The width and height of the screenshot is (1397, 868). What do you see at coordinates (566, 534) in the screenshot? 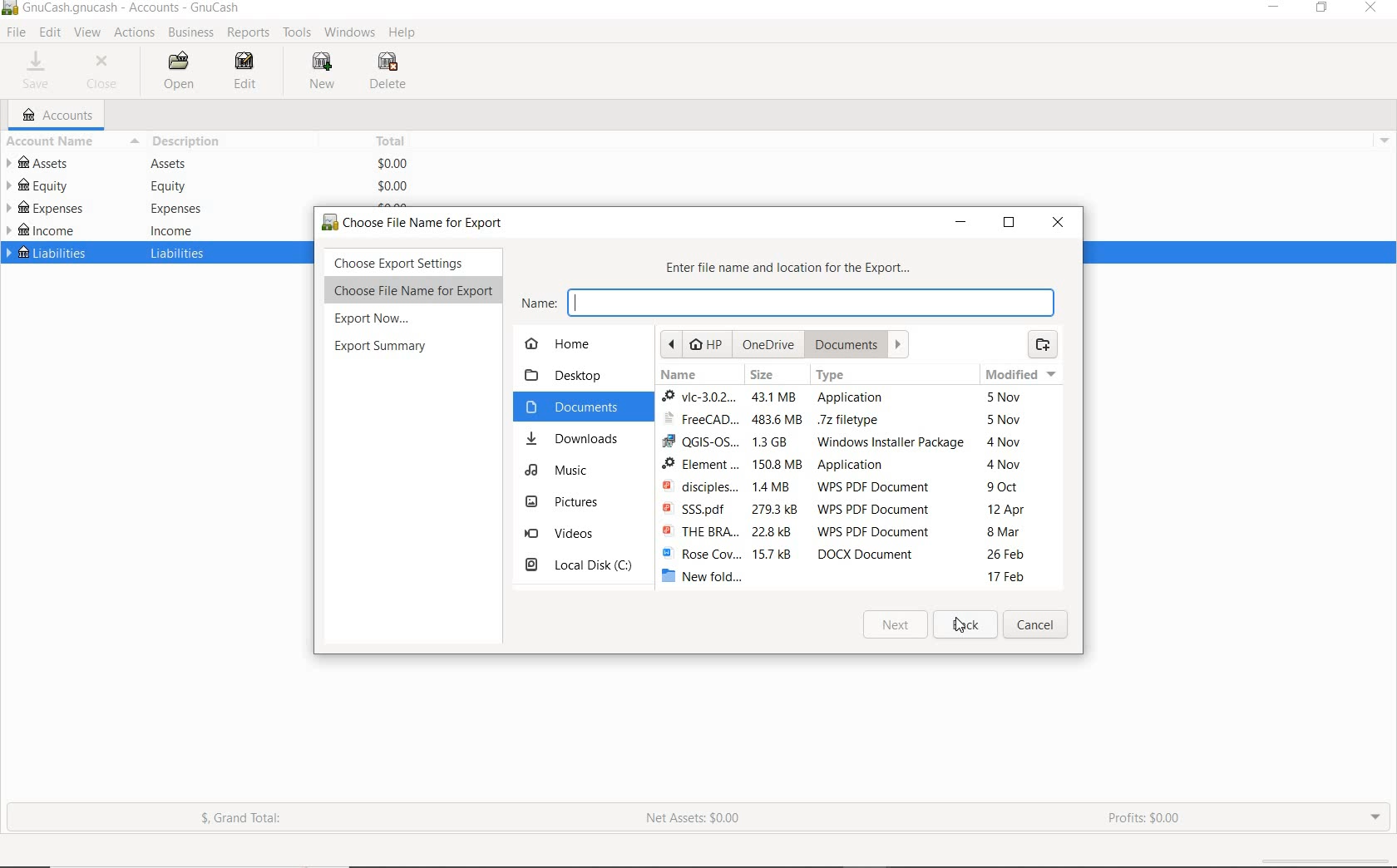
I see `videos` at bounding box center [566, 534].